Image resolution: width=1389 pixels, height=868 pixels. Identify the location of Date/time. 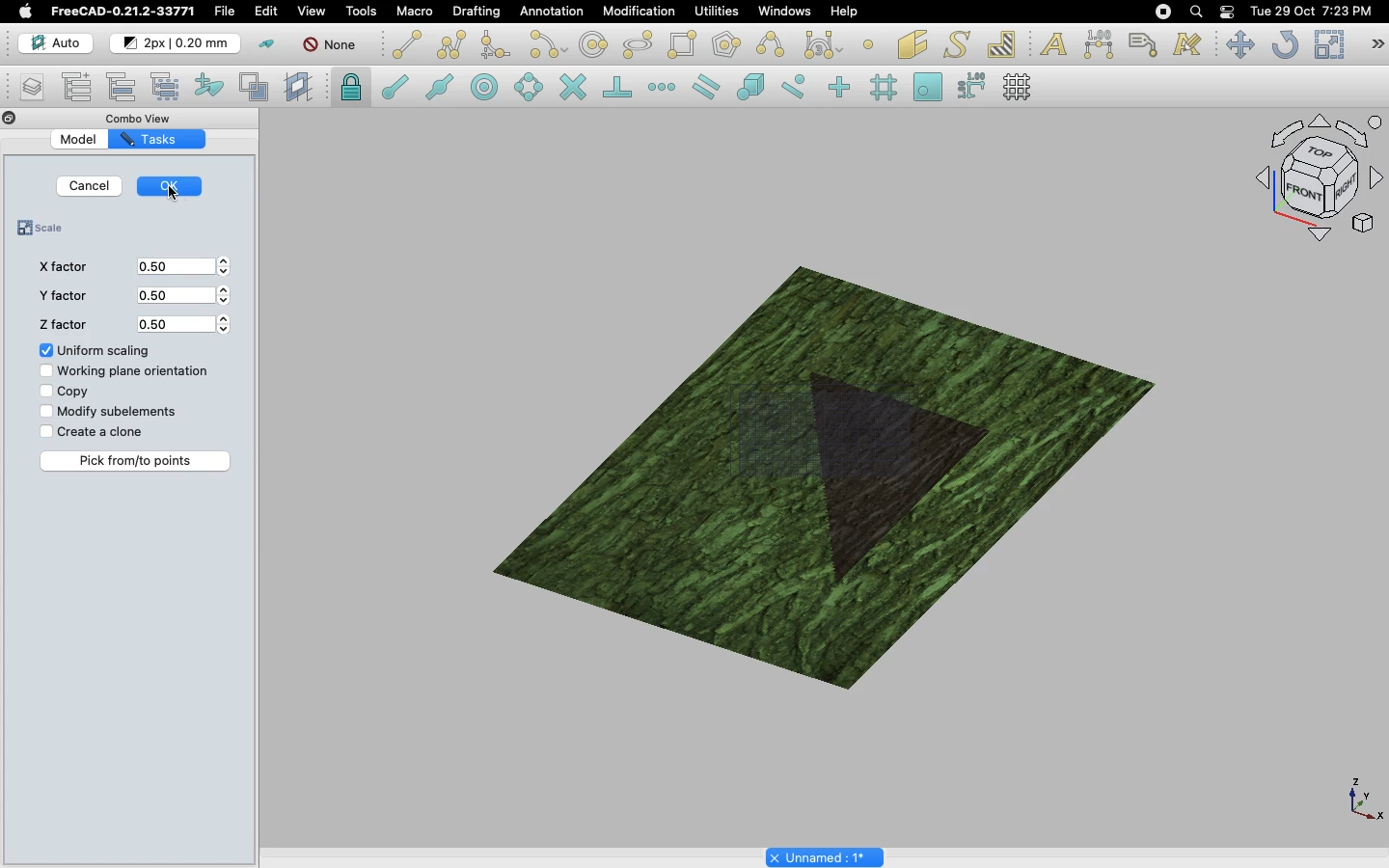
(1312, 12).